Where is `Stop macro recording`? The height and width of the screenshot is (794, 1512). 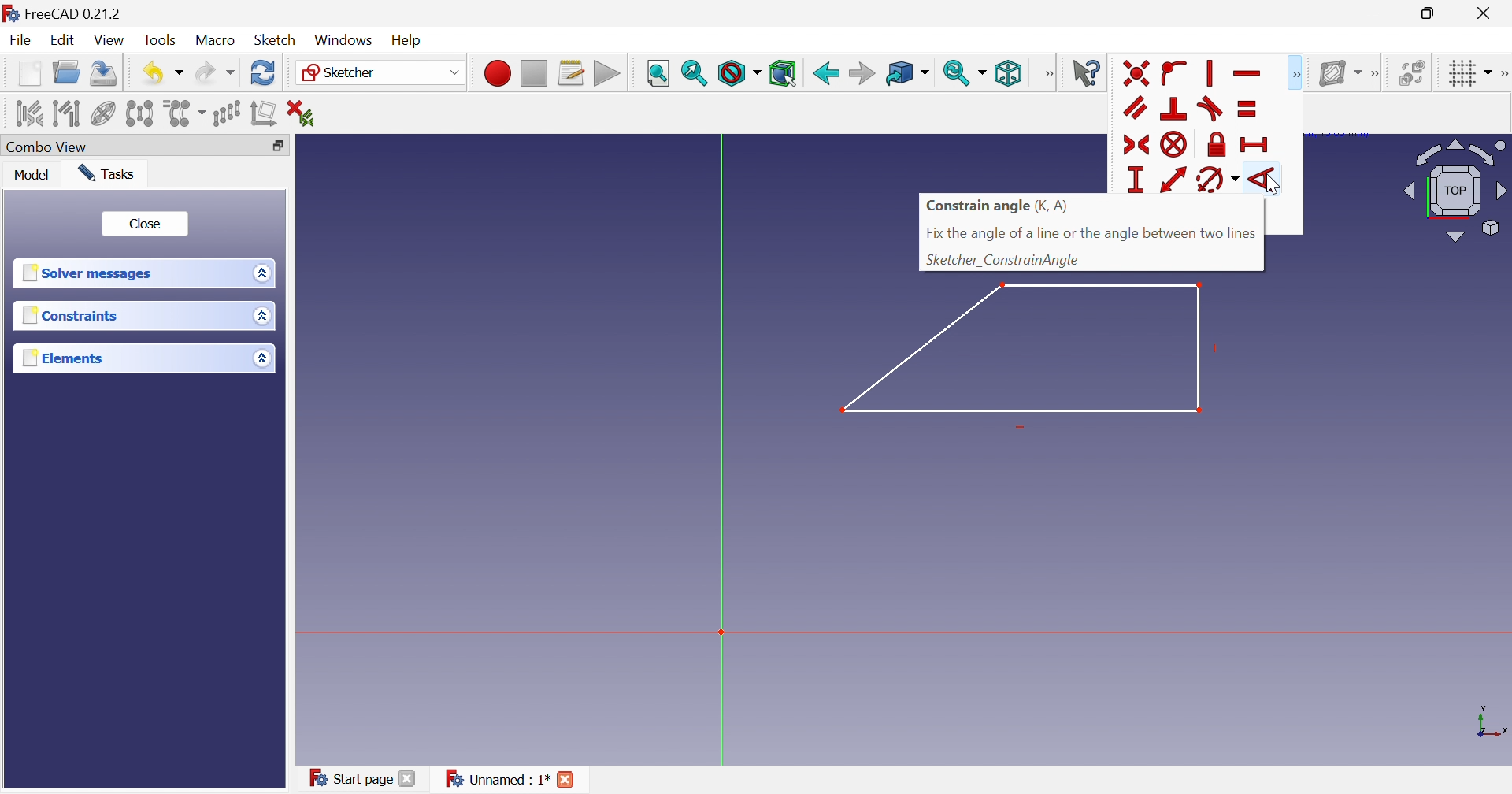
Stop macro recording is located at coordinates (533, 72).